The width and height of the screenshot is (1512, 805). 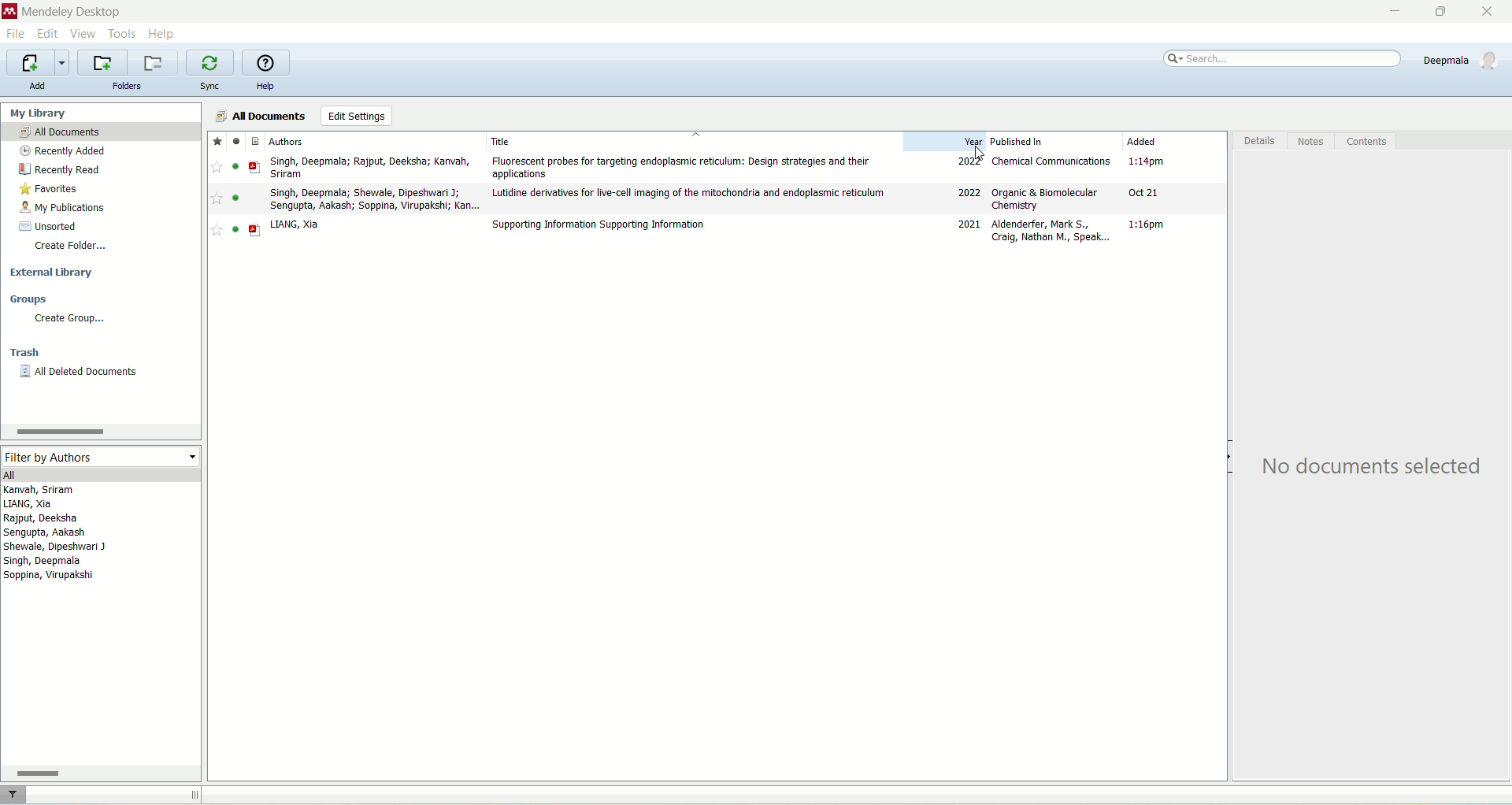 I want to click on create folder, so click(x=70, y=247).